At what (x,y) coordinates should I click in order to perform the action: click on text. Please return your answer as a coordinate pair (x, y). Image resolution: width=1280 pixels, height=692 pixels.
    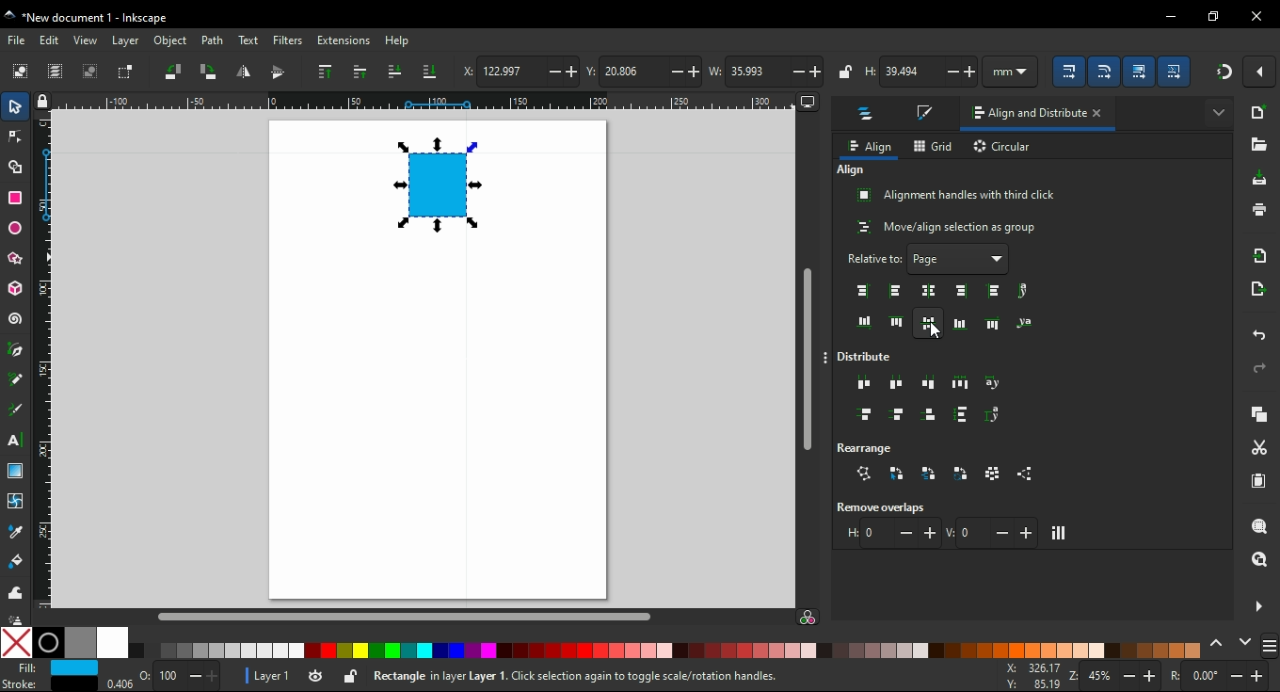
    Looking at the image, I should click on (247, 41).